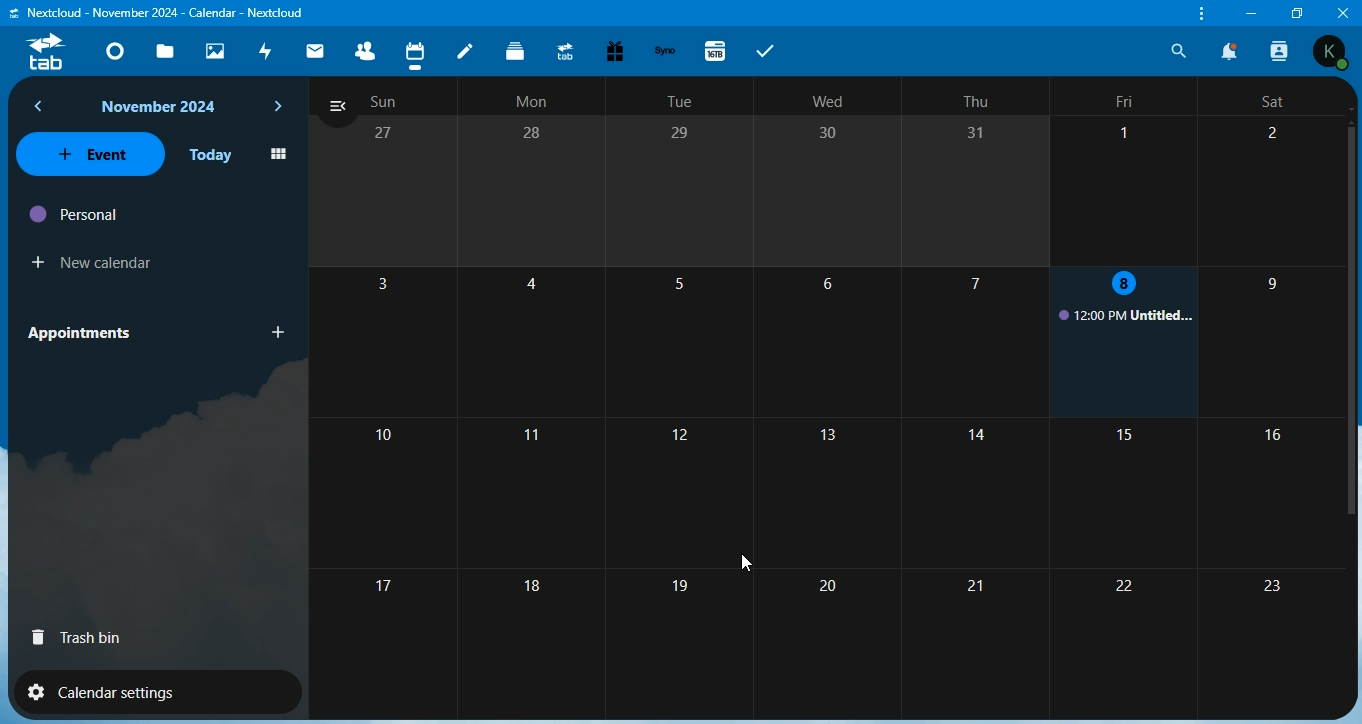 The height and width of the screenshot is (724, 1362). What do you see at coordinates (128, 691) in the screenshot?
I see `calendar settings` at bounding box center [128, 691].